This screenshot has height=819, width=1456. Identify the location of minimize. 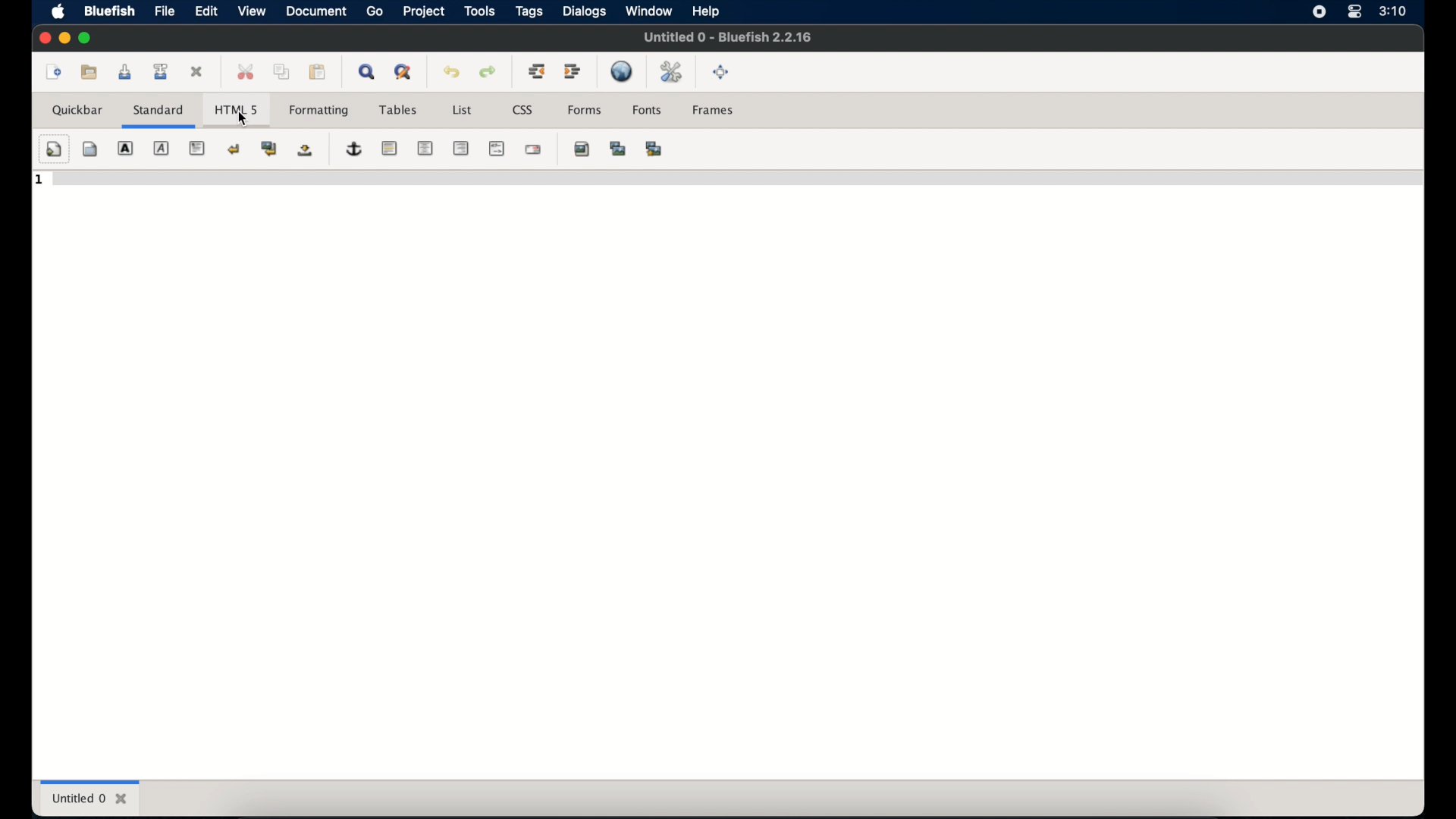
(64, 39).